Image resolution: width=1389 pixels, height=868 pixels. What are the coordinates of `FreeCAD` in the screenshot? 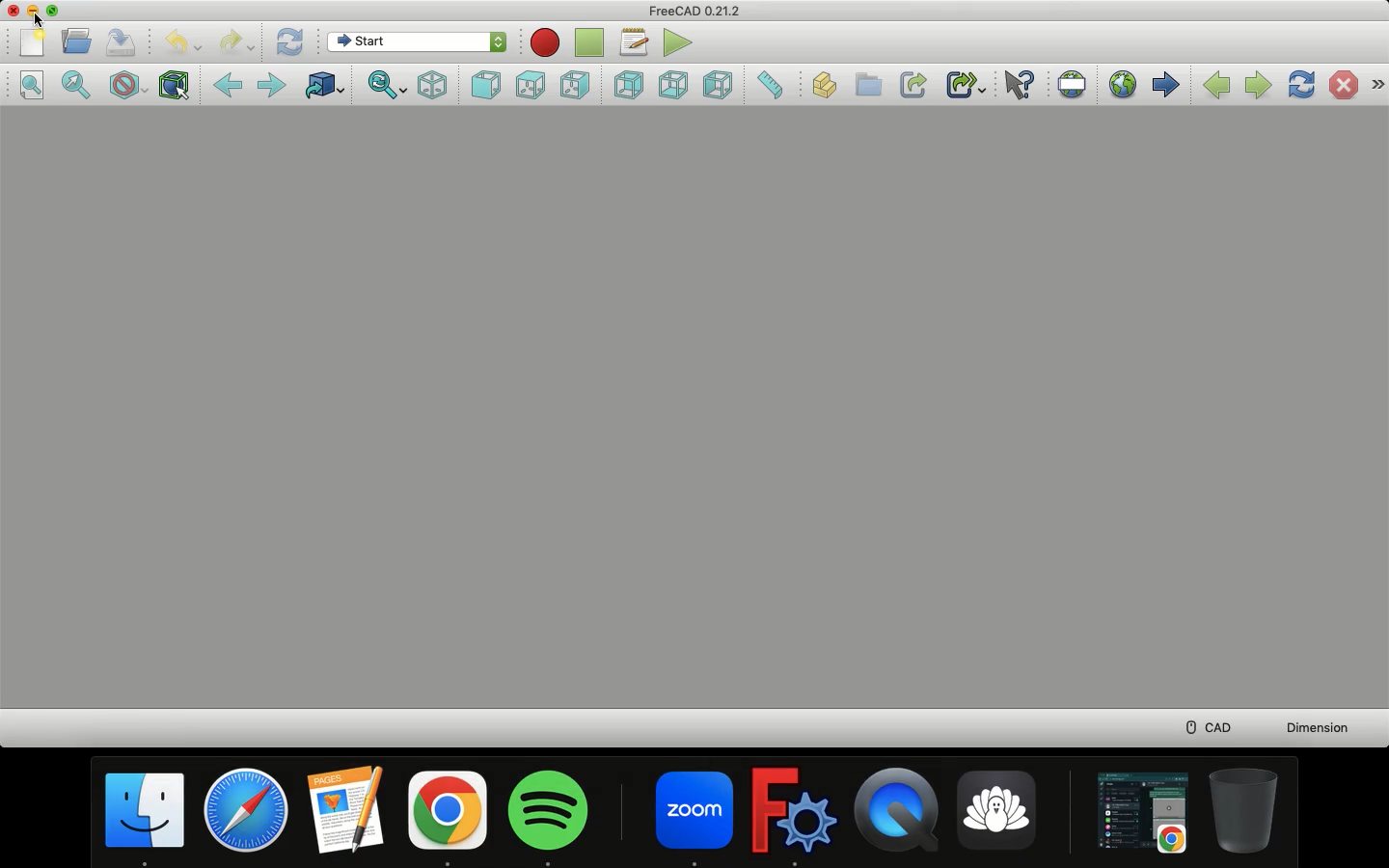 It's located at (792, 815).